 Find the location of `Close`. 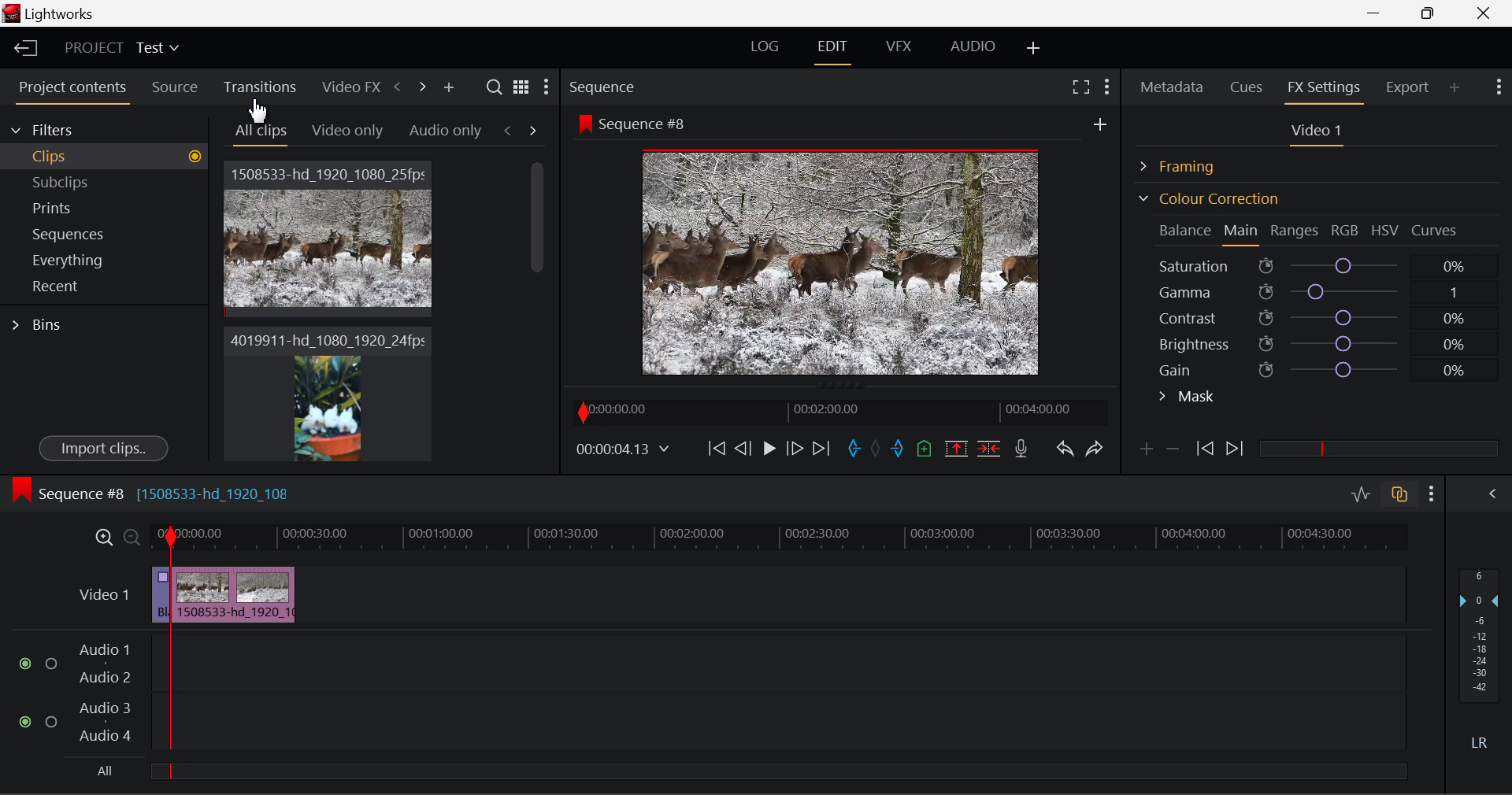

Close is located at coordinates (1487, 13).